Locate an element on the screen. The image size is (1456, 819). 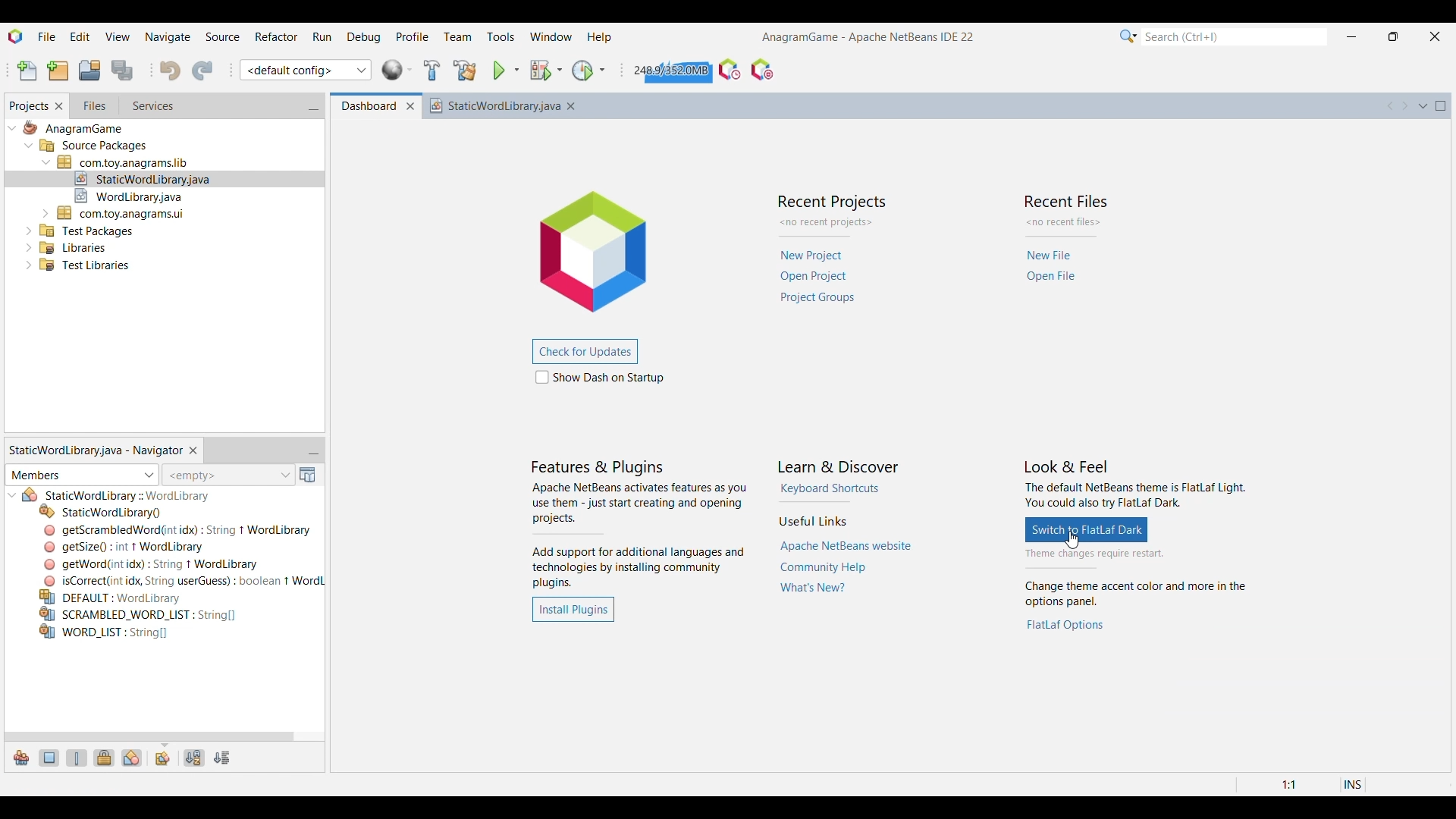
 is located at coordinates (88, 229).